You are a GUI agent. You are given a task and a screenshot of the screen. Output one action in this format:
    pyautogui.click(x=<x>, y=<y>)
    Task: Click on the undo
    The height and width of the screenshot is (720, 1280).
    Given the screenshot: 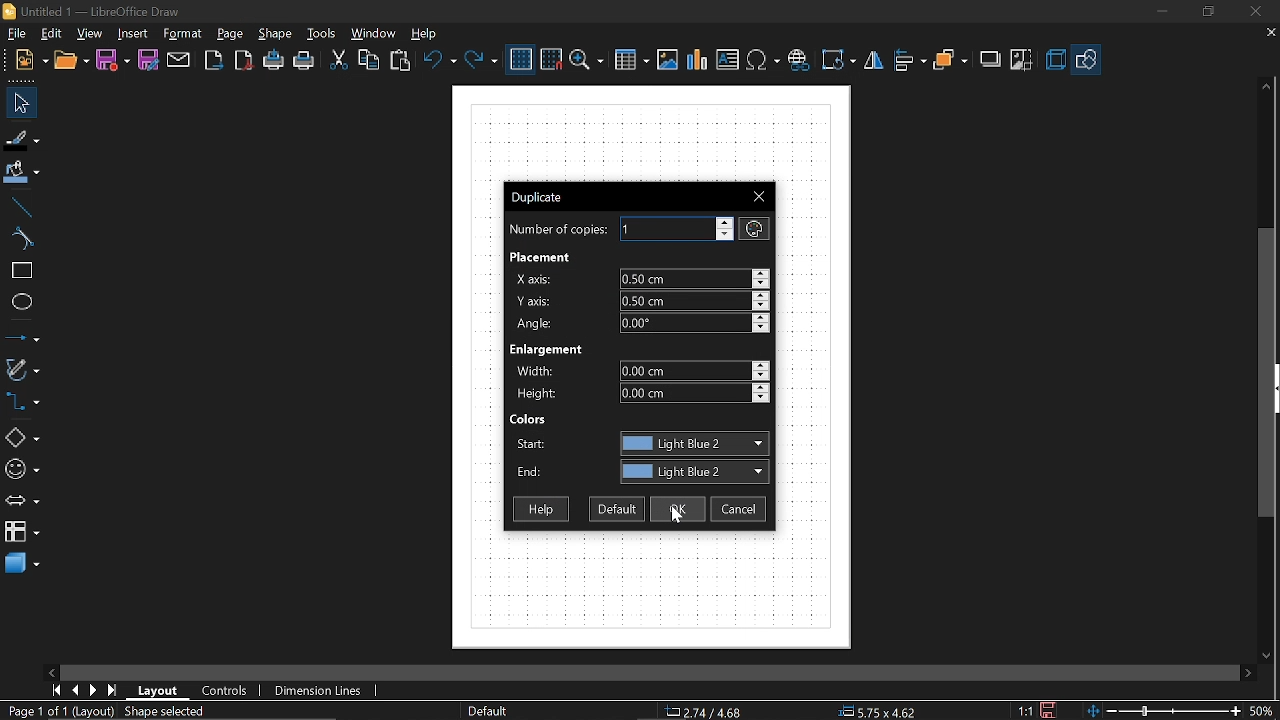 What is the action you would take?
    pyautogui.click(x=439, y=60)
    